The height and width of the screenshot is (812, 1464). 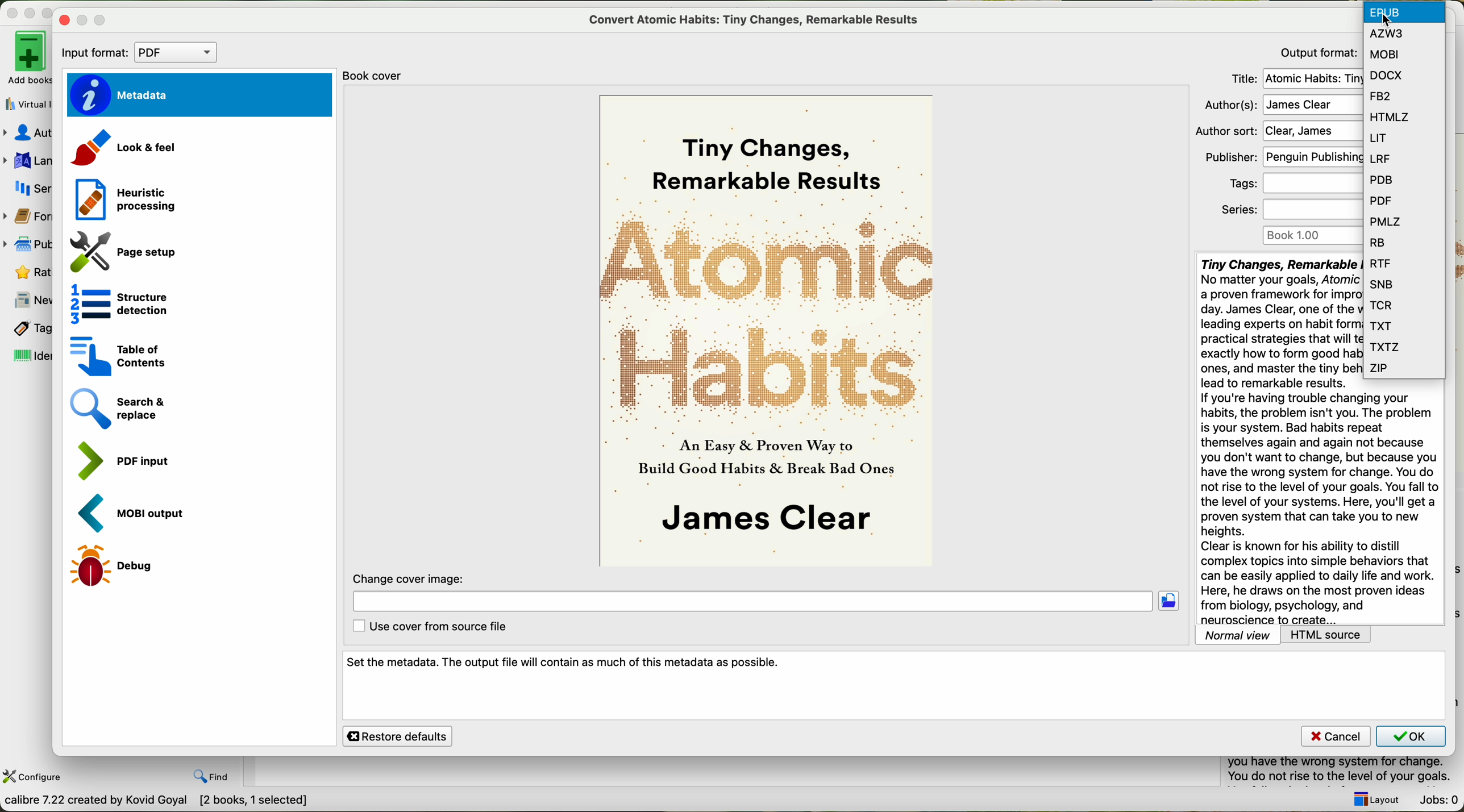 I want to click on close, so click(x=63, y=20).